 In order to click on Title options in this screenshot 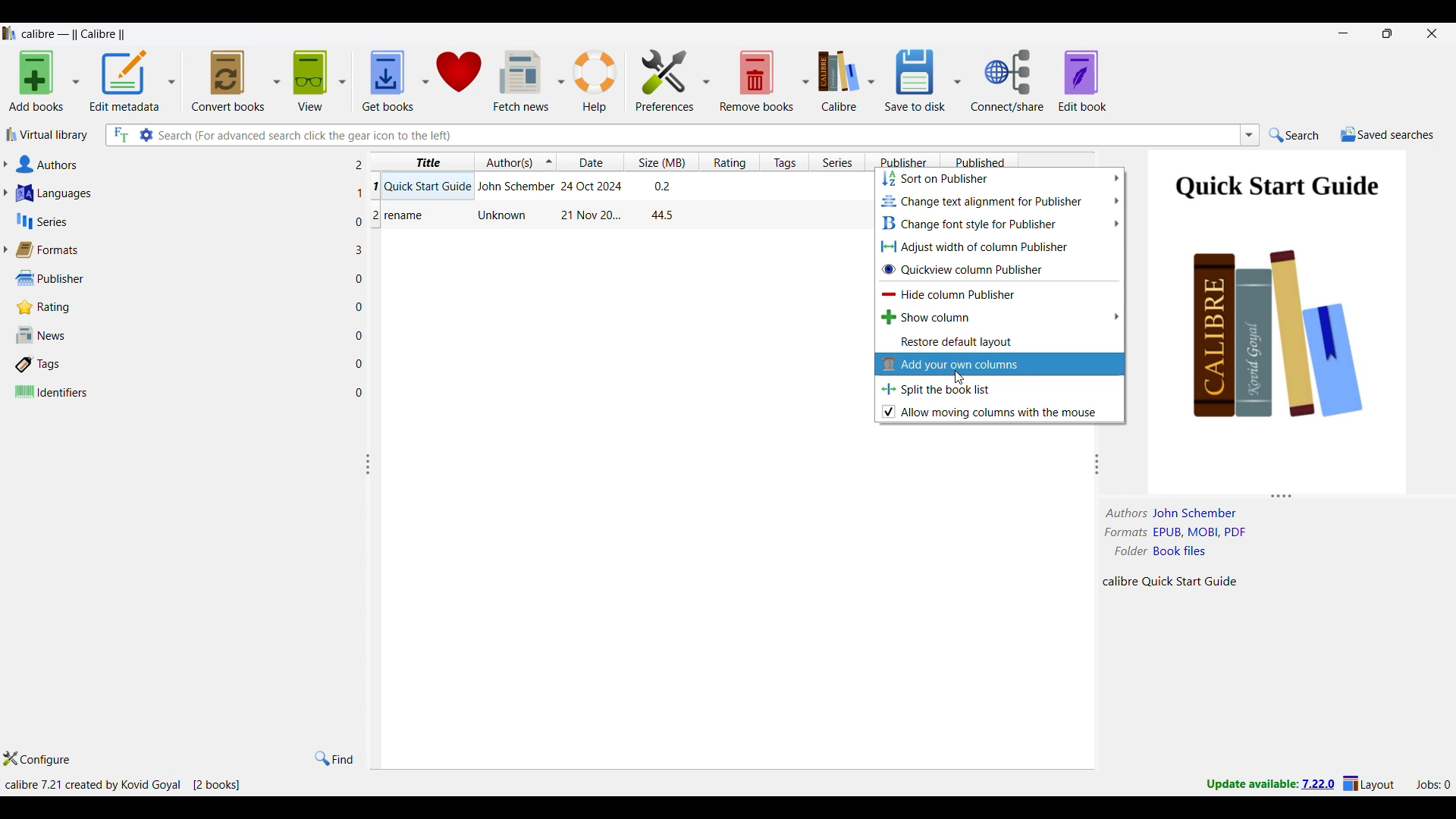, I will do `click(426, 161)`.